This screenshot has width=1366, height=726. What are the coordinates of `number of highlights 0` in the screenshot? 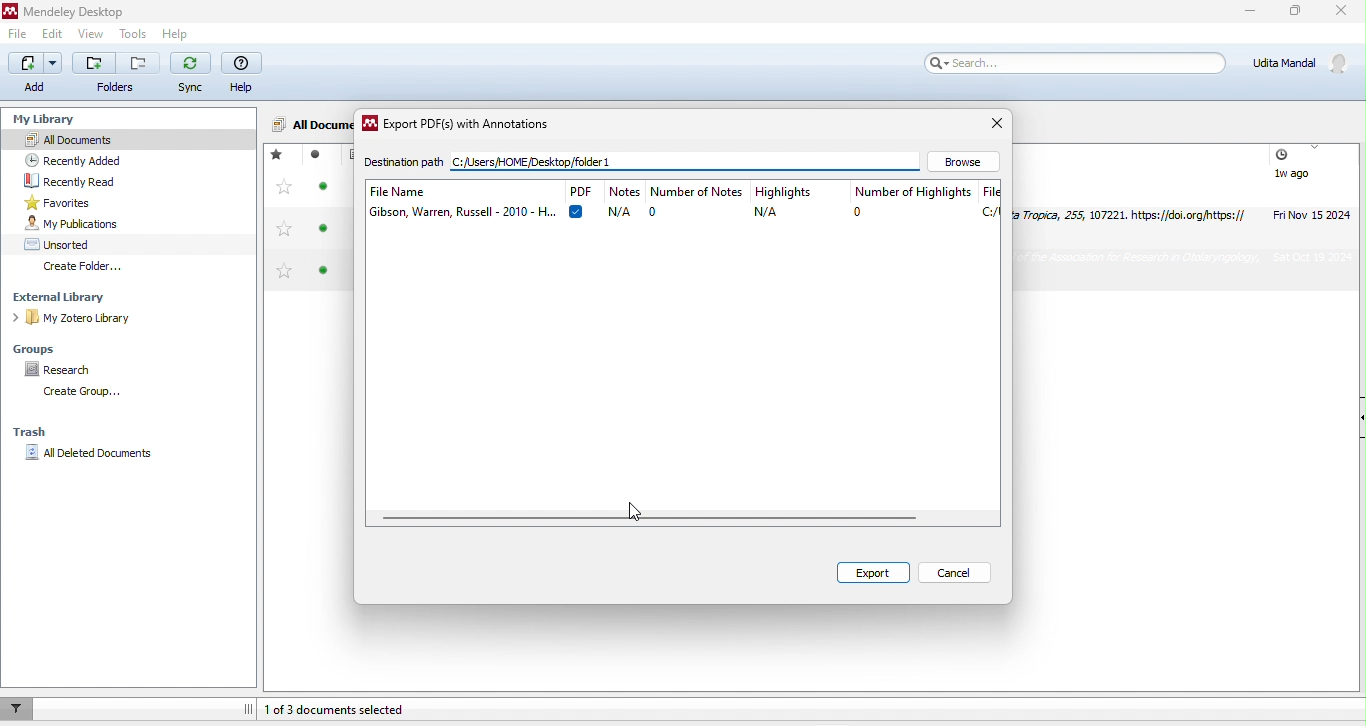 It's located at (912, 201).